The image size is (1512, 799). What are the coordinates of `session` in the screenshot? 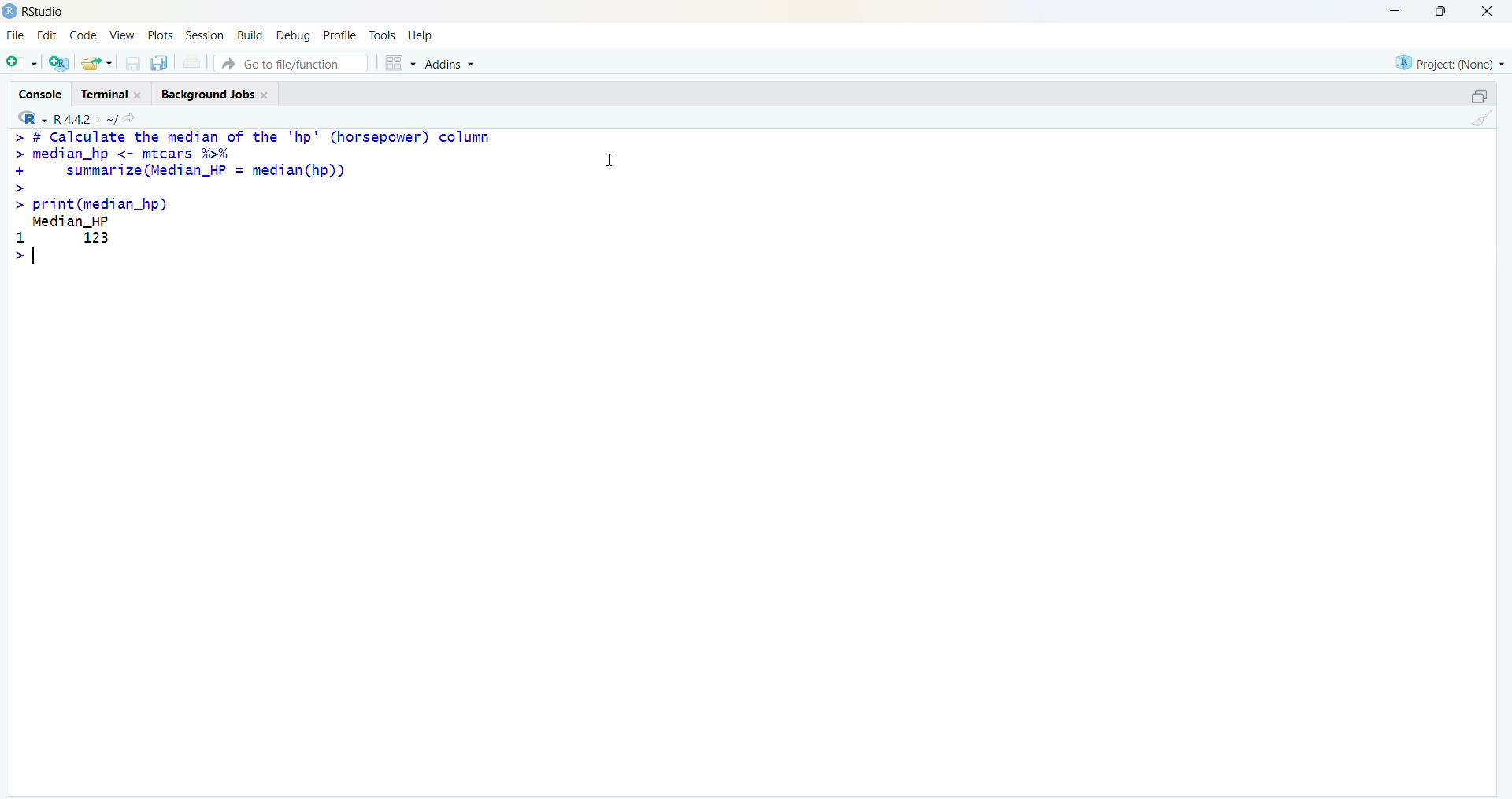 It's located at (205, 35).